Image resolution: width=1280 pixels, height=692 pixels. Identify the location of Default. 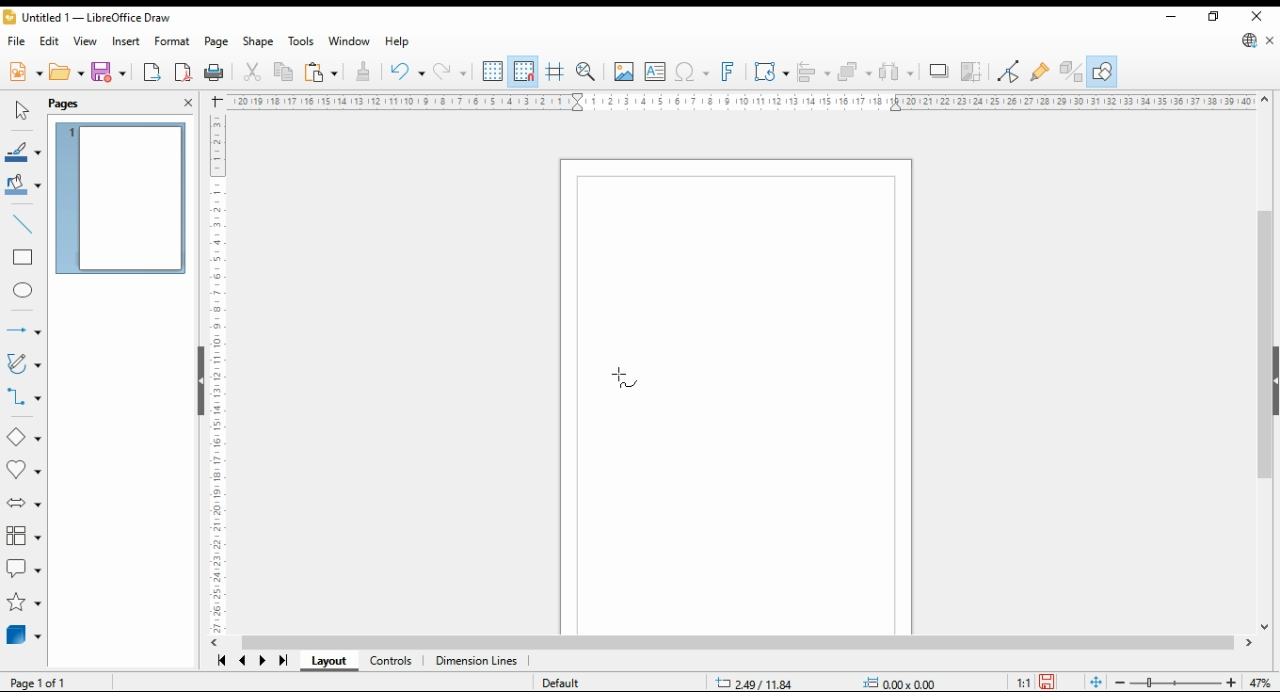
(571, 680).